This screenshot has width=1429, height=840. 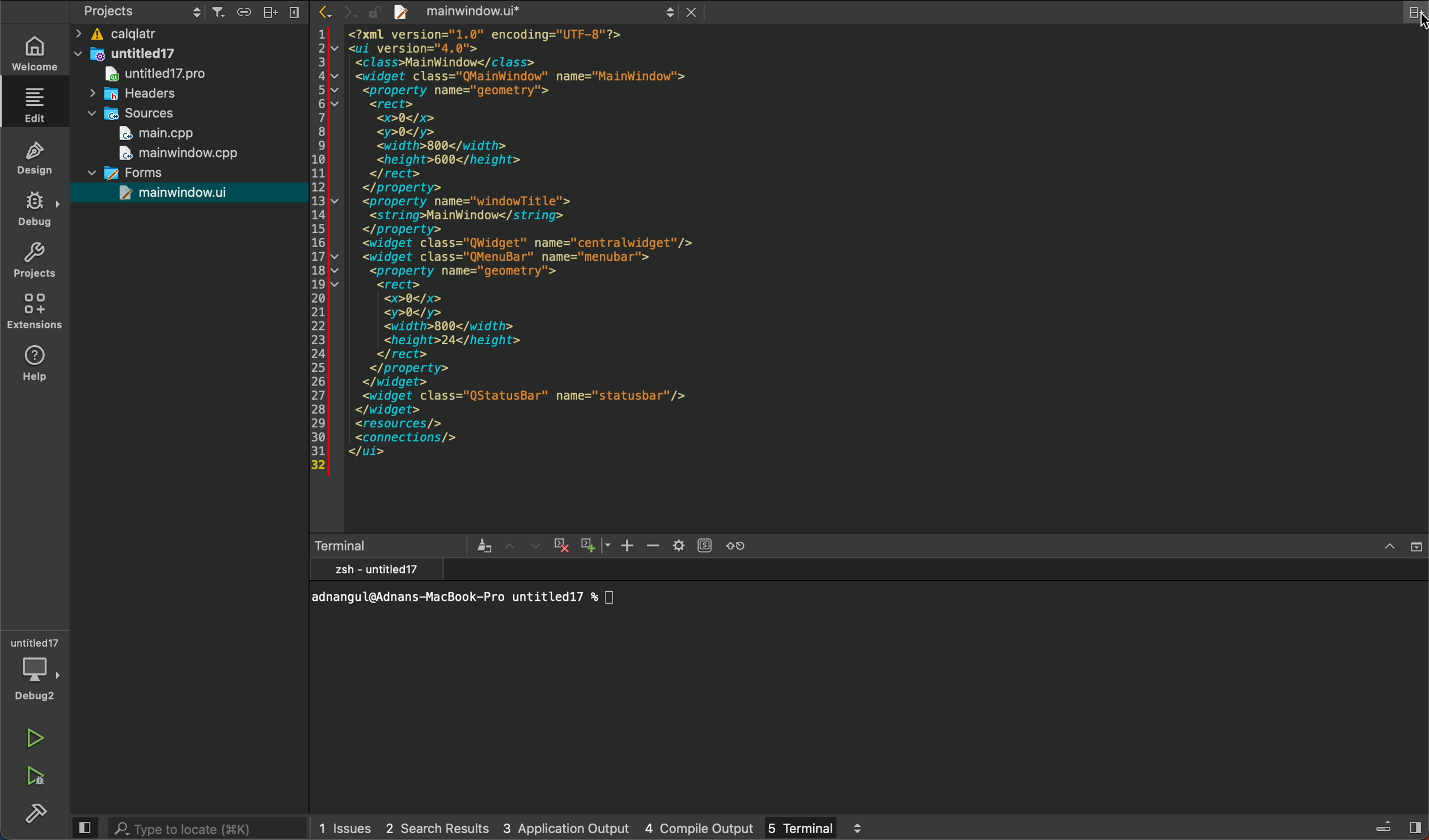 What do you see at coordinates (141, 12) in the screenshot?
I see `projects` at bounding box center [141, 12].